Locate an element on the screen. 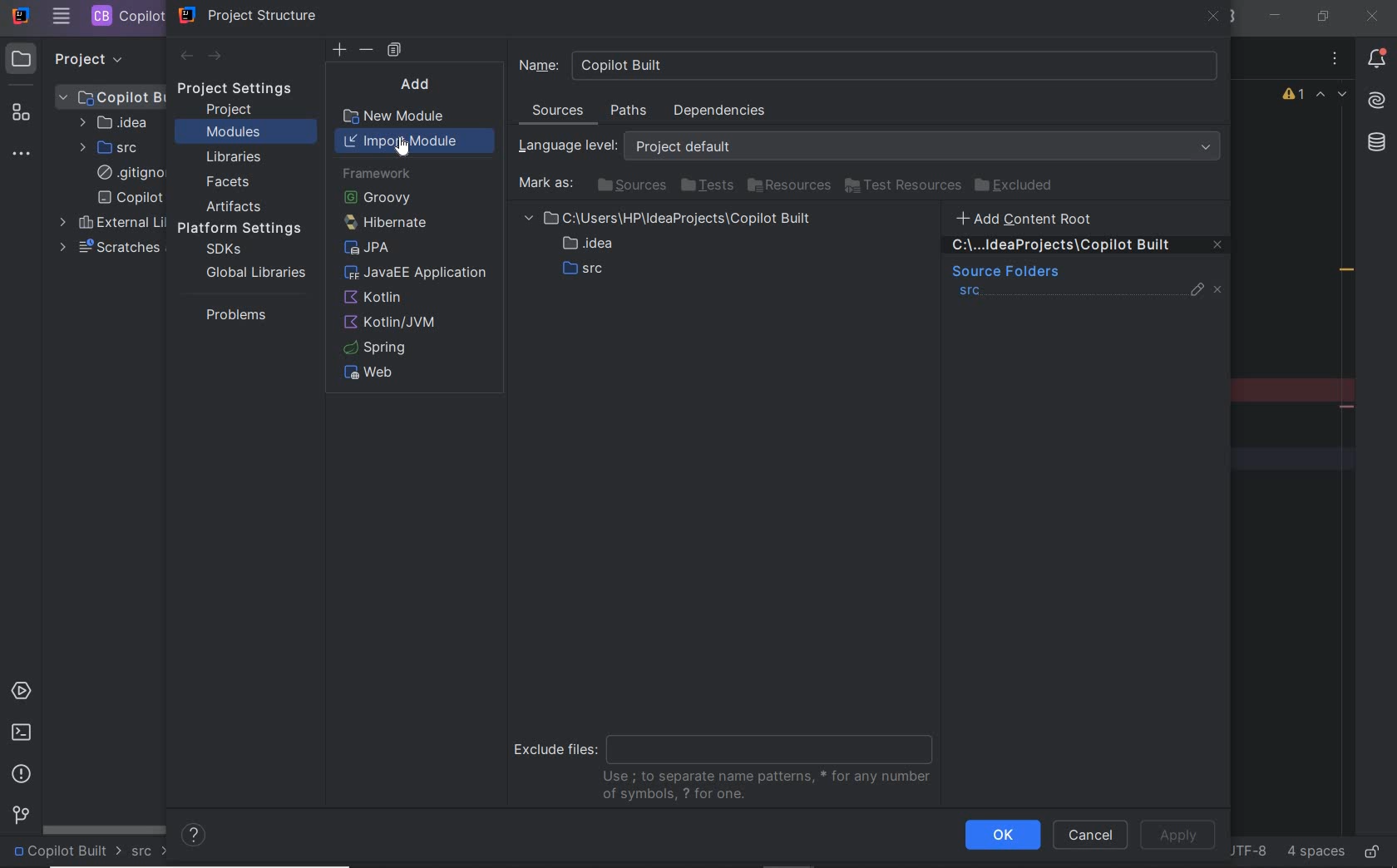  services is located at coordinates (23, 693).